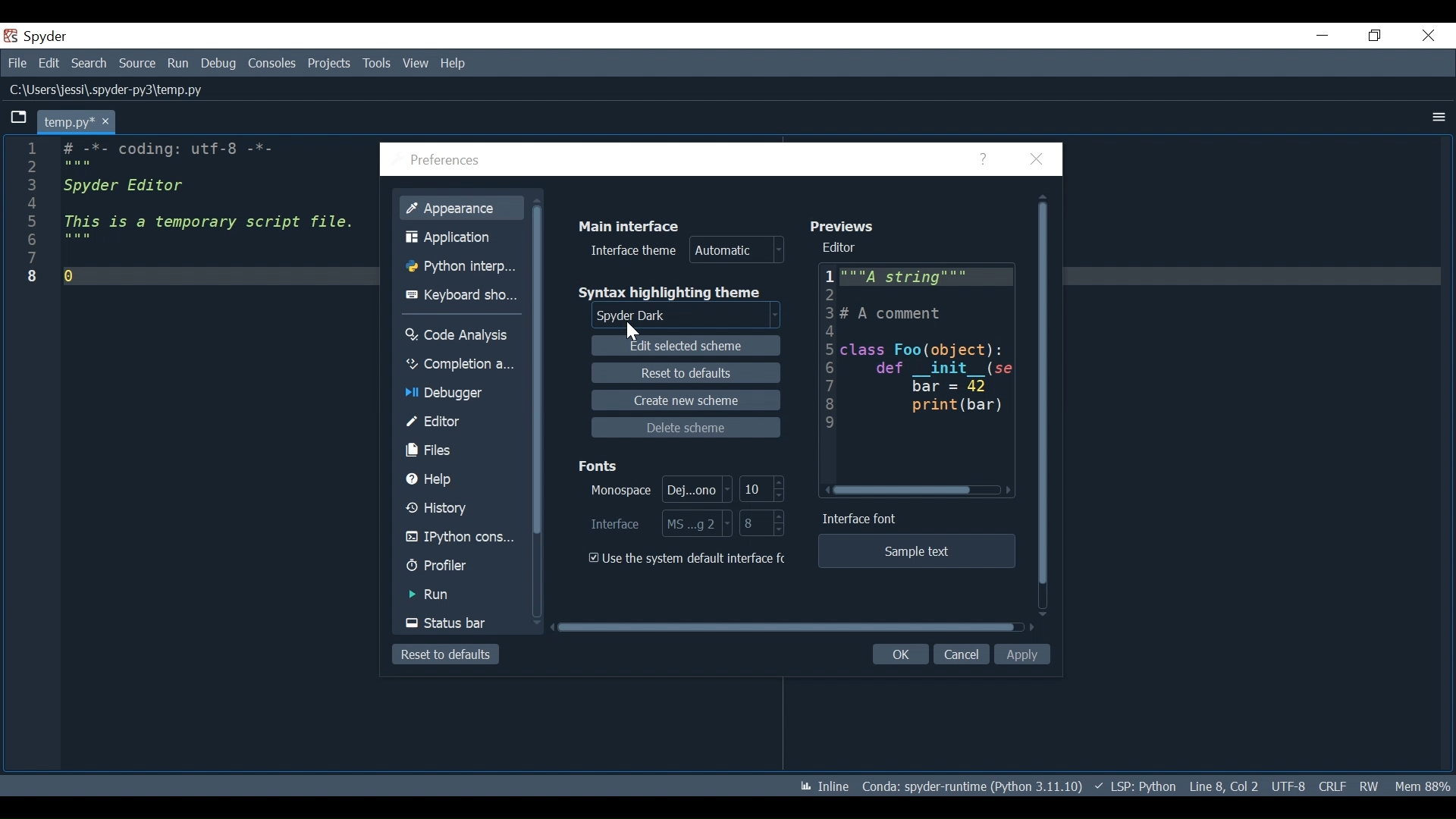  What do you see at coordinates (1437, 115) in the screenshot?
I see `More Options` at bounding box center [1437, 115].